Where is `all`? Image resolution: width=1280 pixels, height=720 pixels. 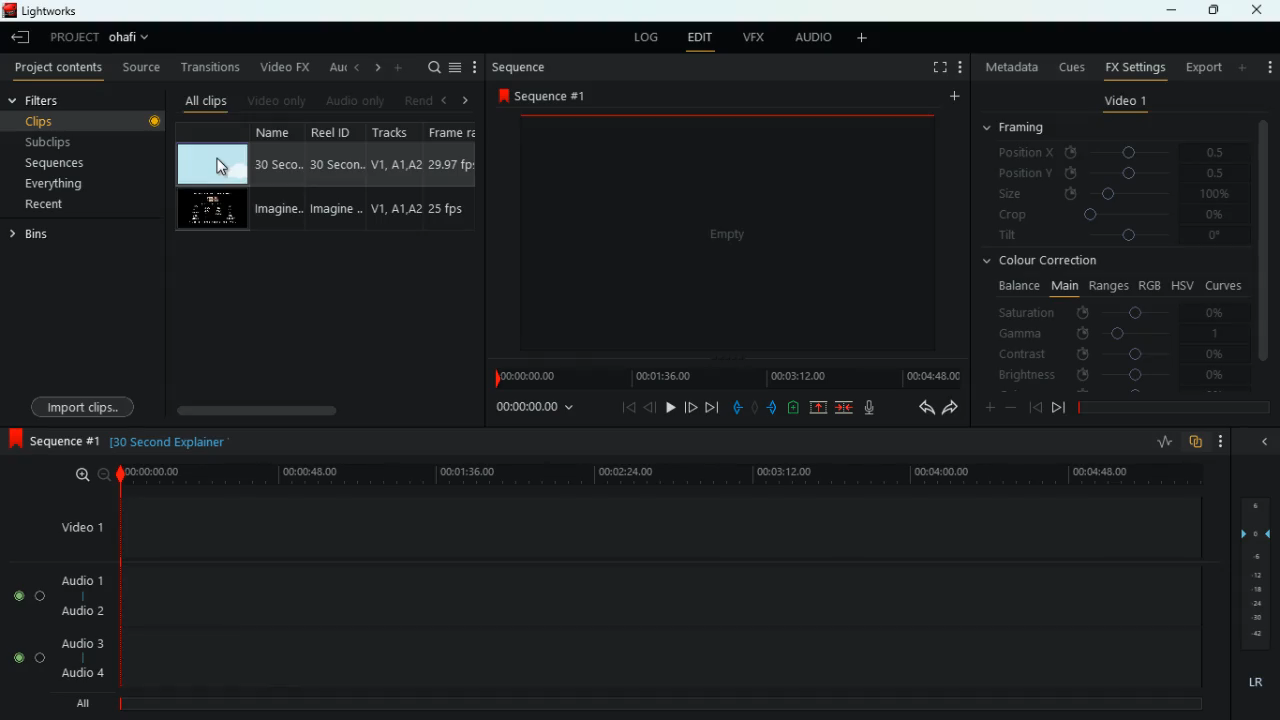
all is located at coordinates (78, 705).